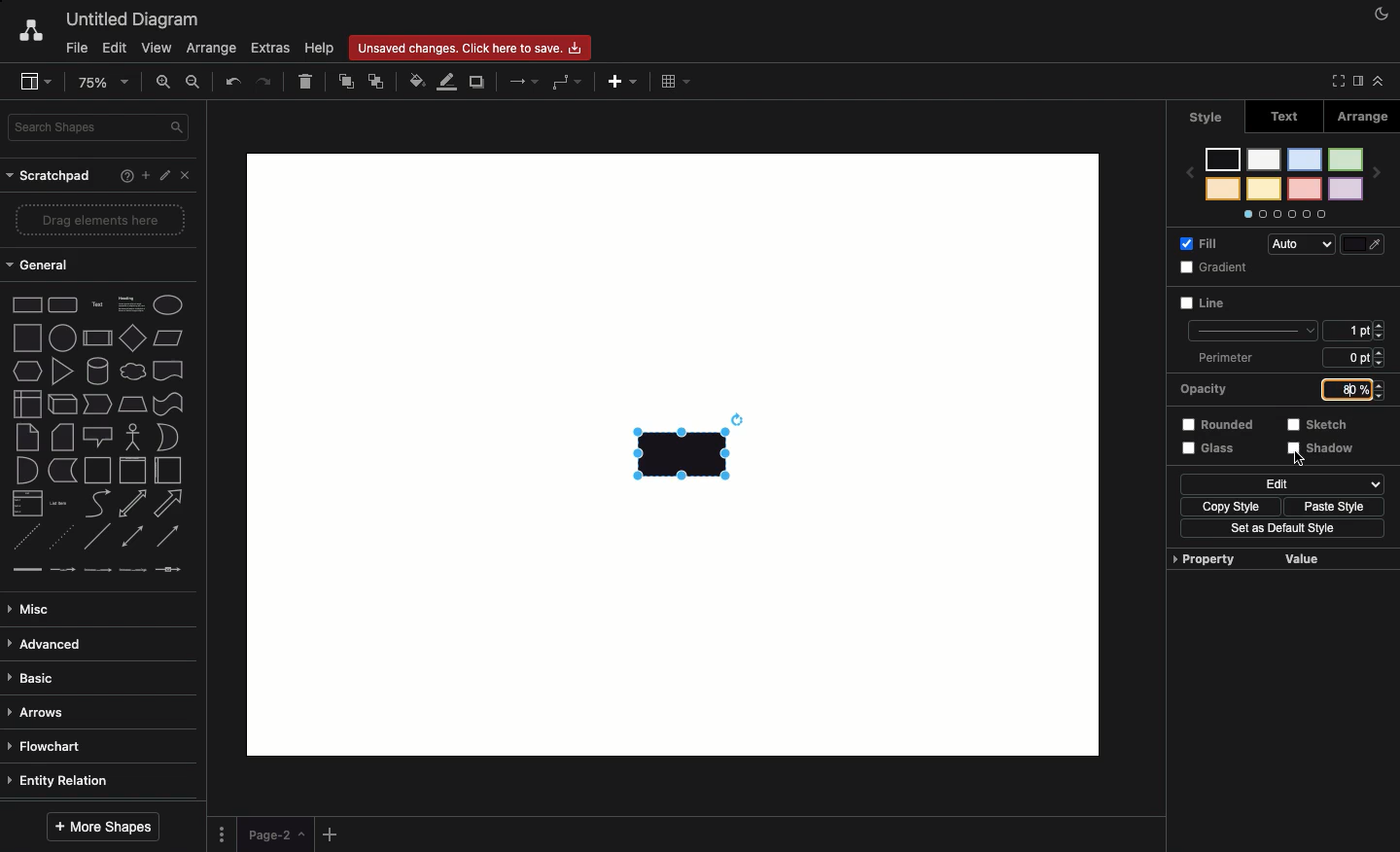 The image size is (1400, 852). What do you see at coordinates (168, 304) in the screenshot?
I see `Eclipse` at bounding box center [168, 304].